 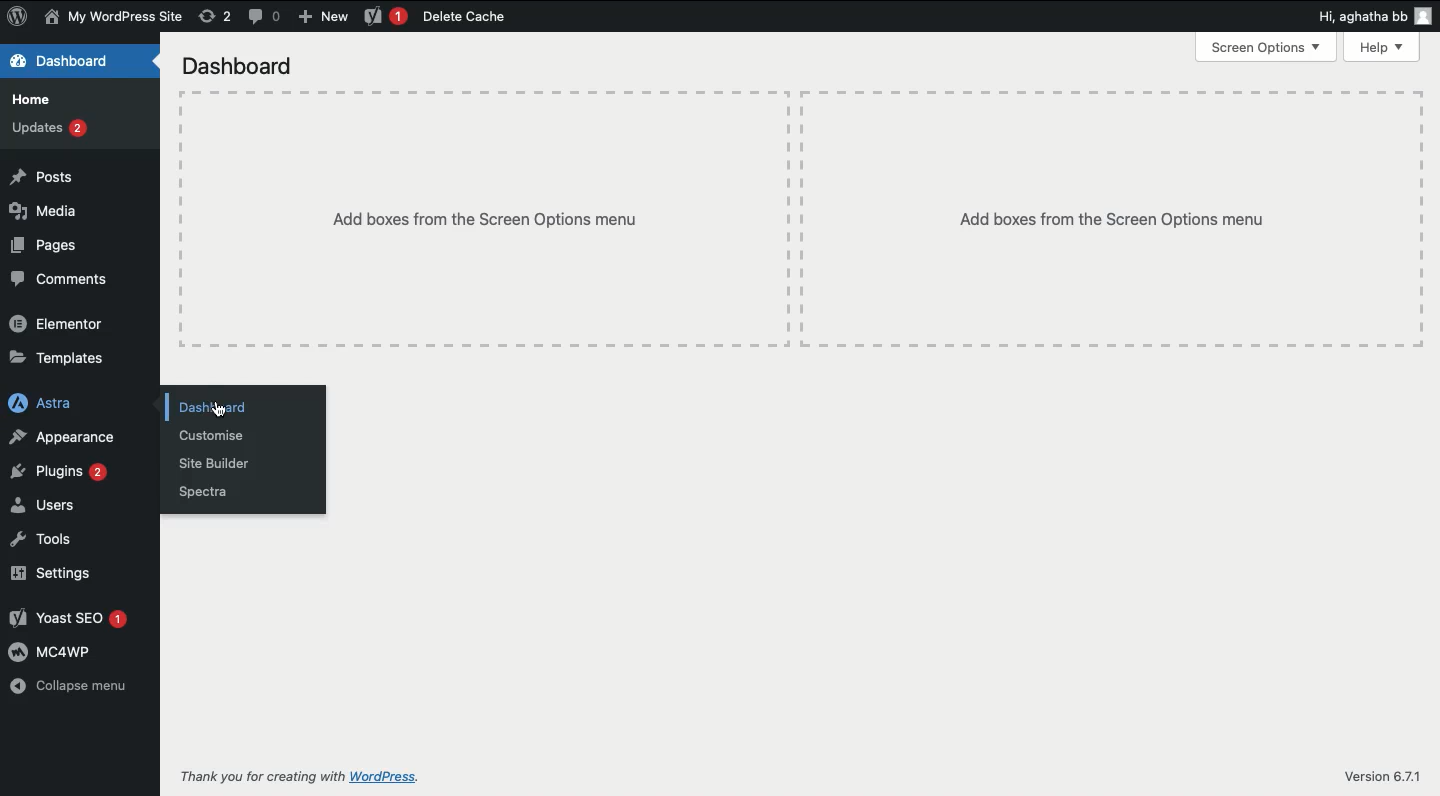 I want to click on Site builder, so click(x=215, y=465).